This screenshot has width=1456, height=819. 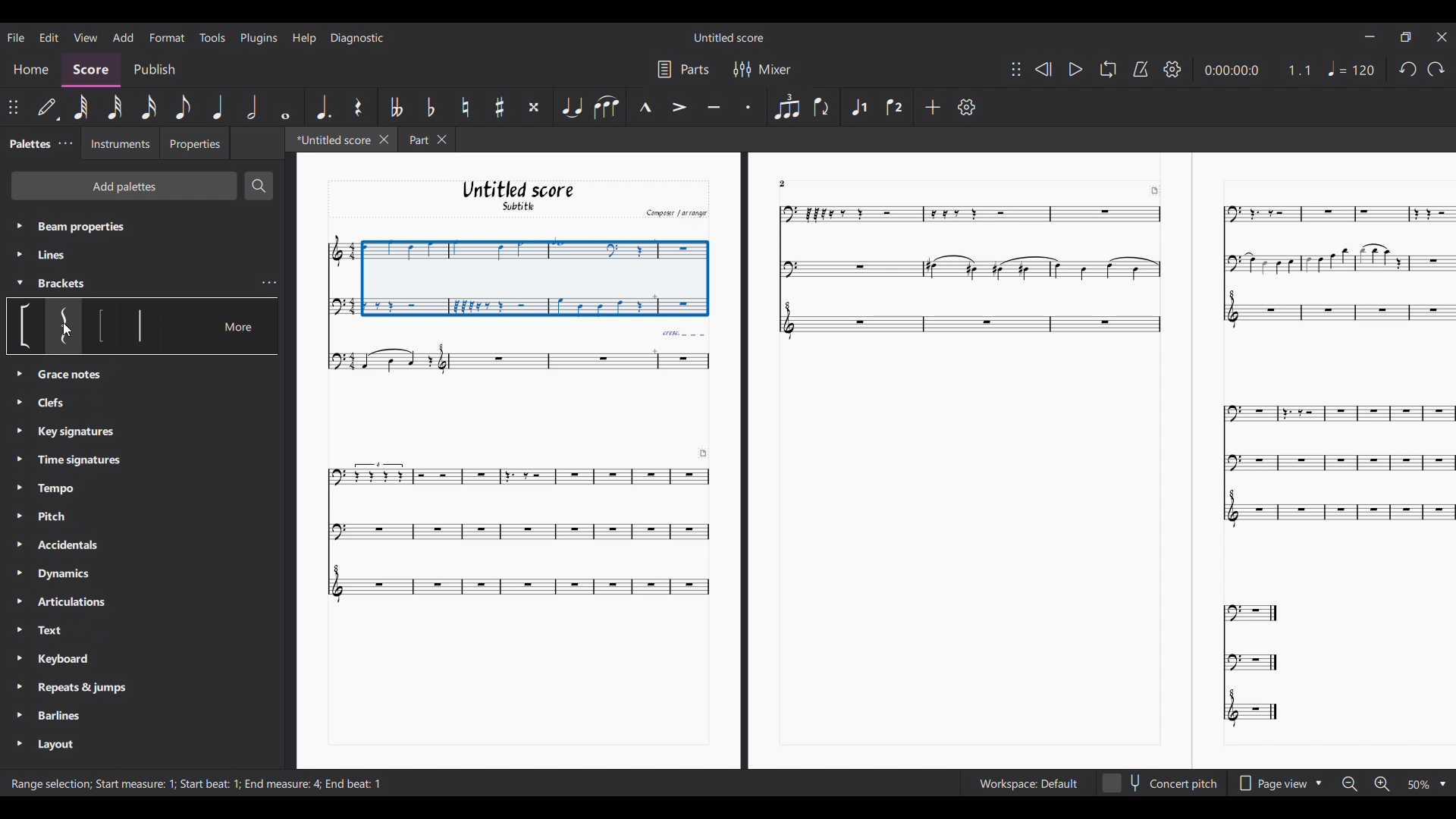 I want to click on Add, so click(x=932, y=106).